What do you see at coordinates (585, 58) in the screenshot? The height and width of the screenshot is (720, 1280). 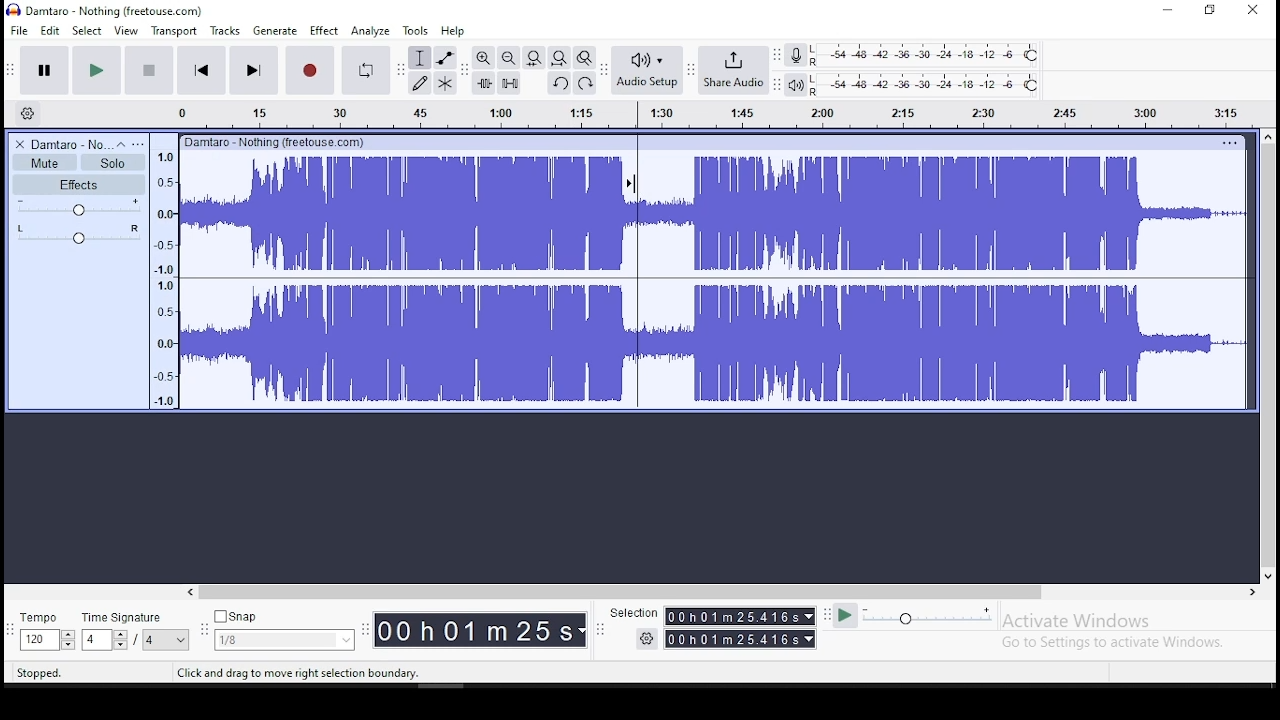 I see `zoom toggle` at bounding box center [585, 58].